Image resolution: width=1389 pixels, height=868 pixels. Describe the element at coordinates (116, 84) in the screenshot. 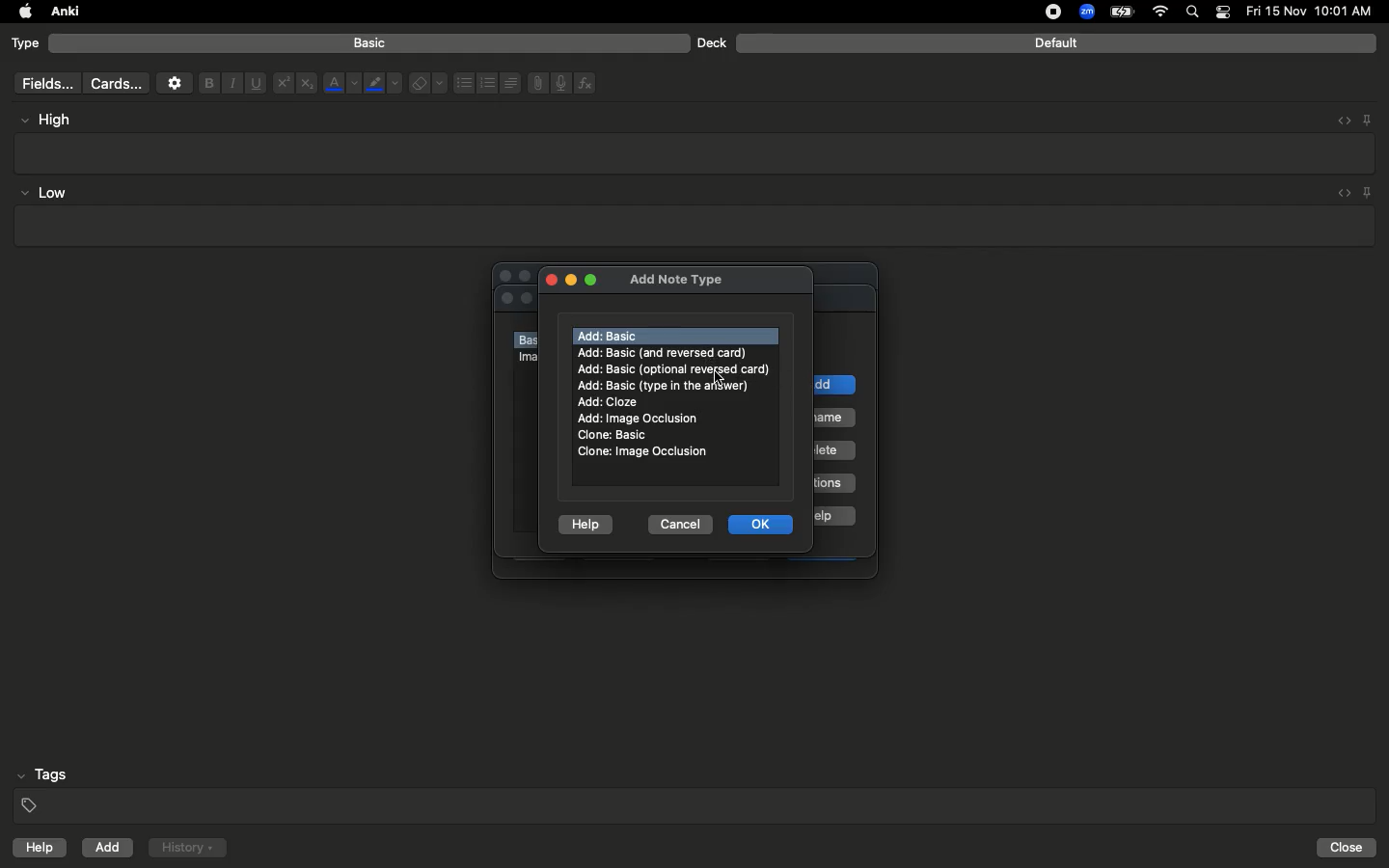

I see `Cards` at that location.